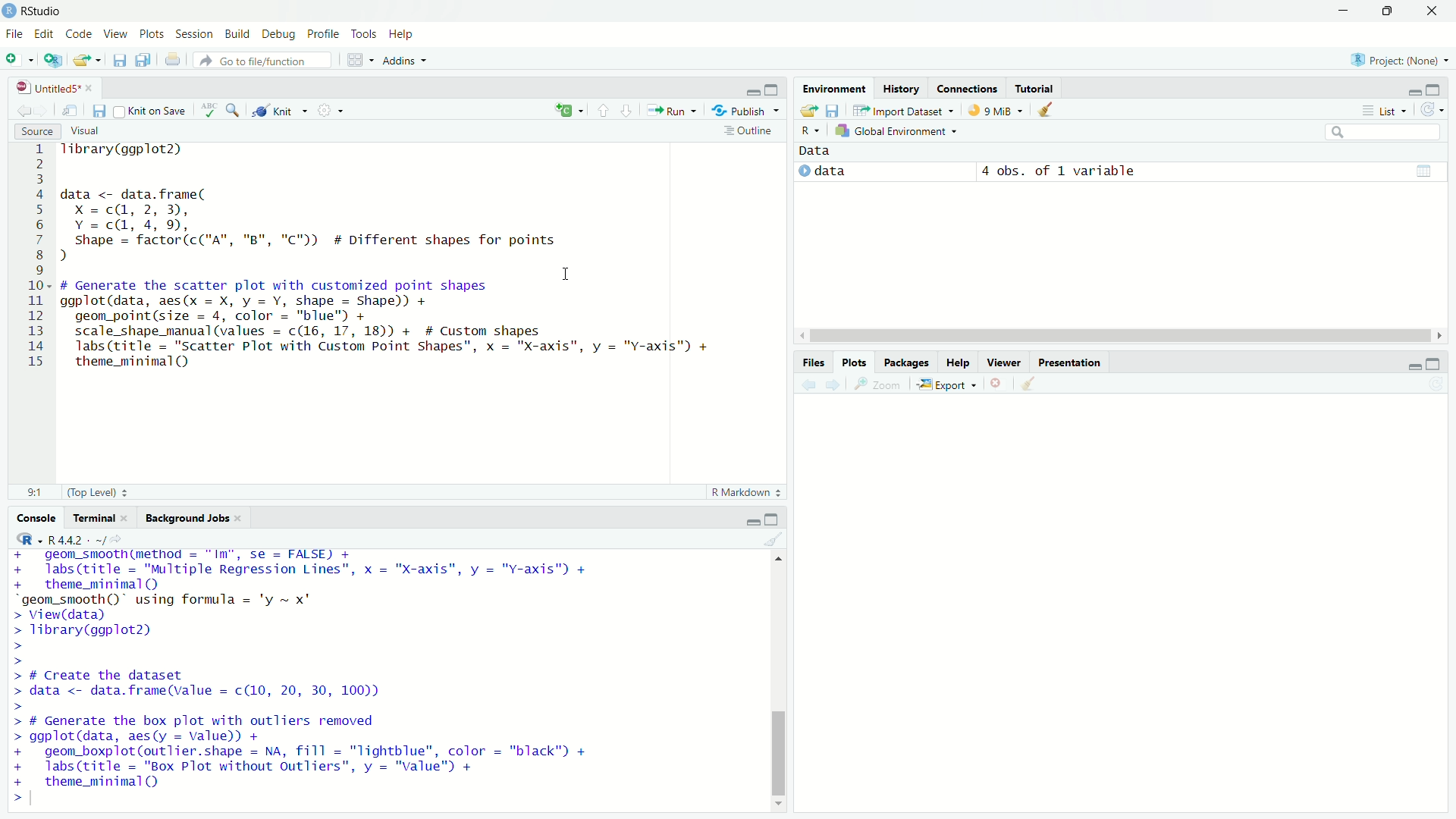 The height and width of the screenshot is (819, 1456). Describe the element at coordinates (114, 33) in the screenshot. I see `View` at that location.